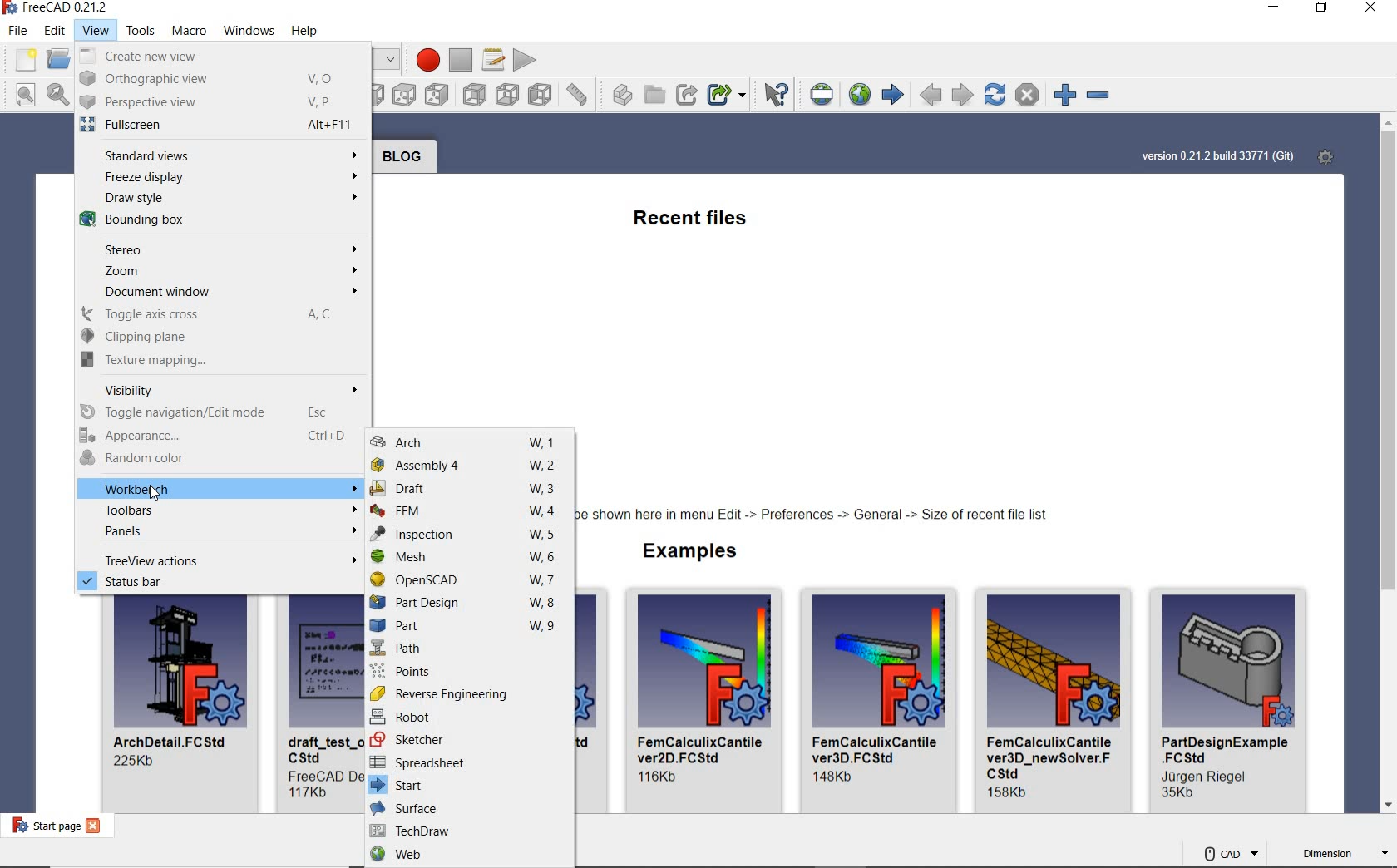  I want to click on open website, so click(860, 94).